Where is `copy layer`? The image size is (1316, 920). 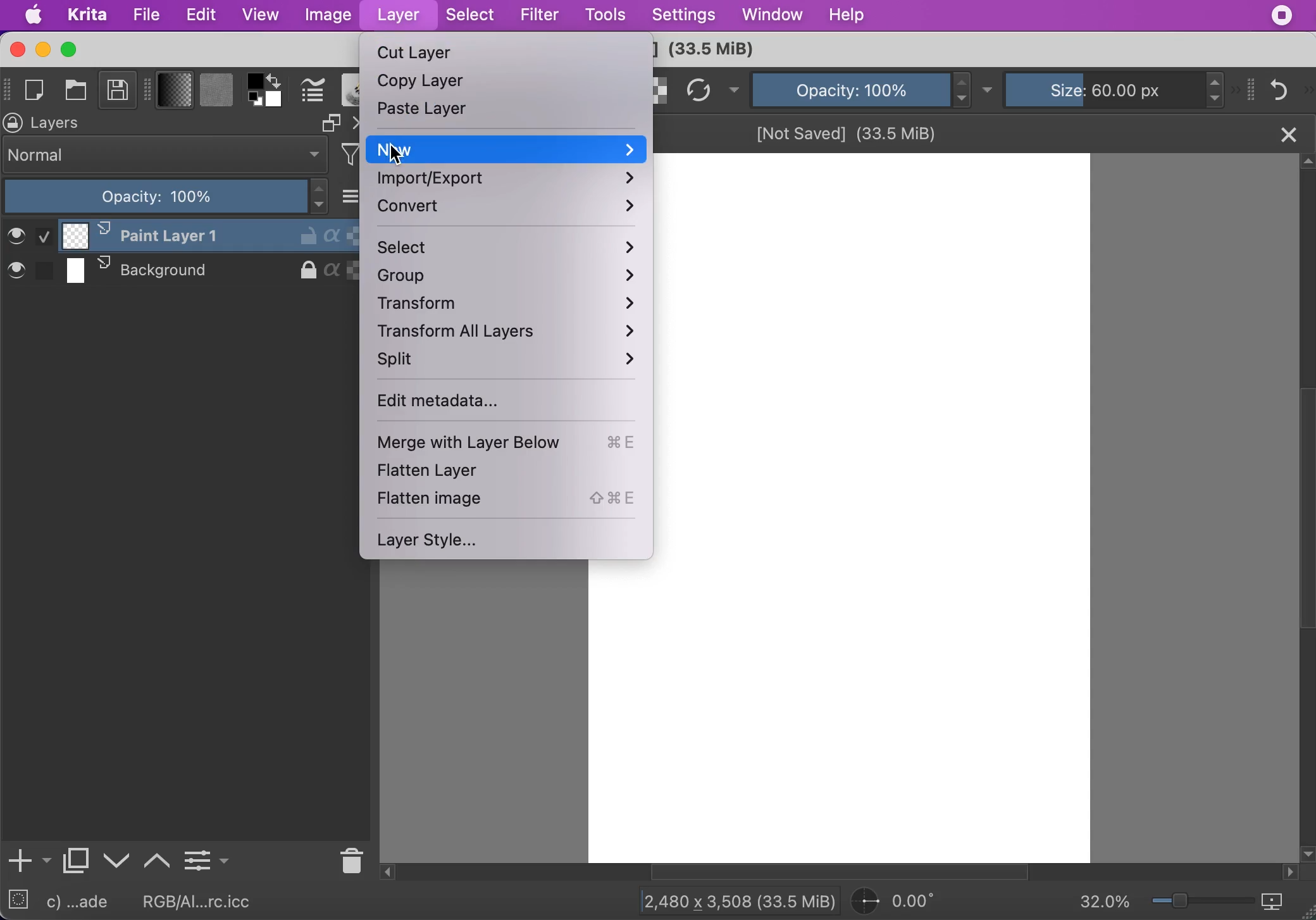 copy layer is located at coordinates (427, 84).